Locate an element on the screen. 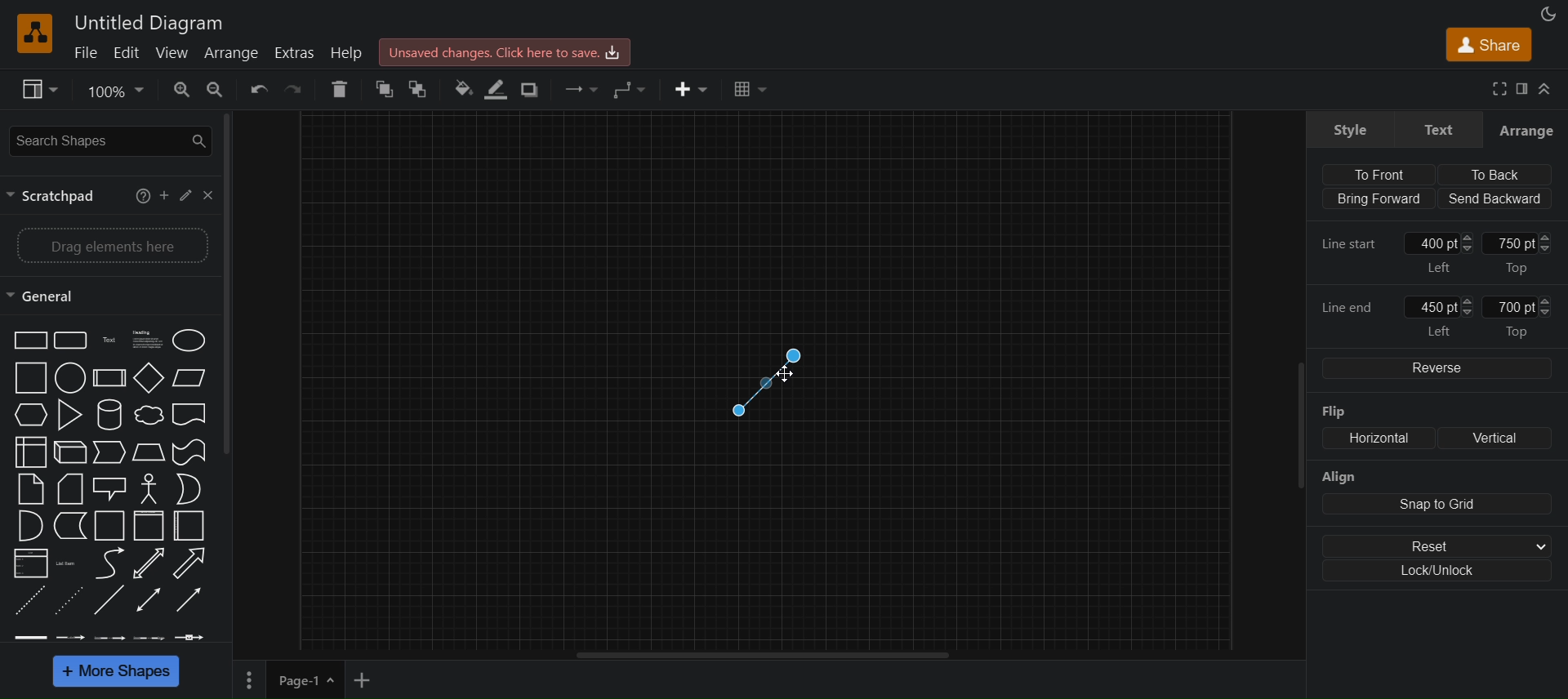  help is located at coordinates (345, 52).